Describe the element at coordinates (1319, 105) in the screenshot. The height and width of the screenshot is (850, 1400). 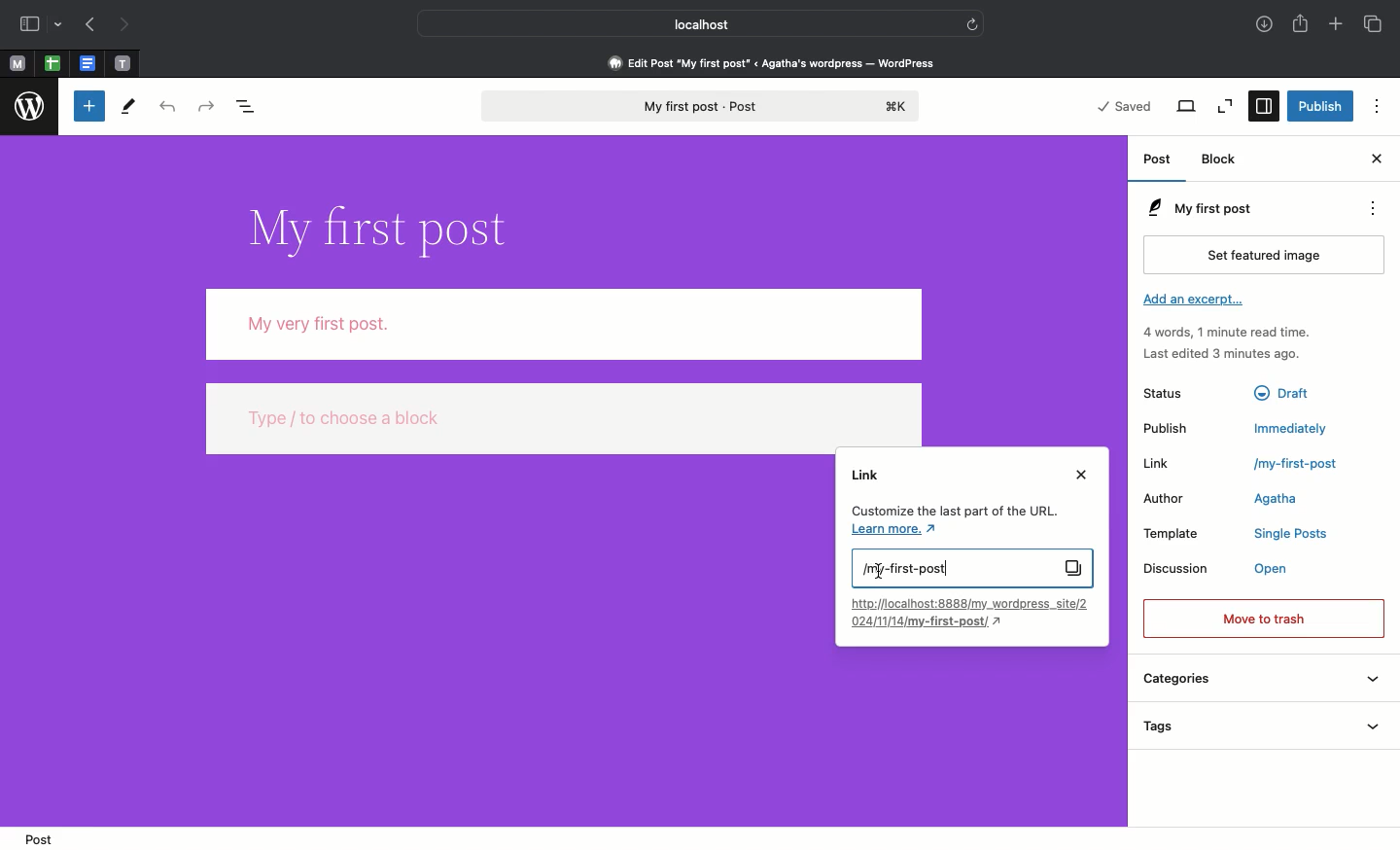
I see `Publish` at that location.